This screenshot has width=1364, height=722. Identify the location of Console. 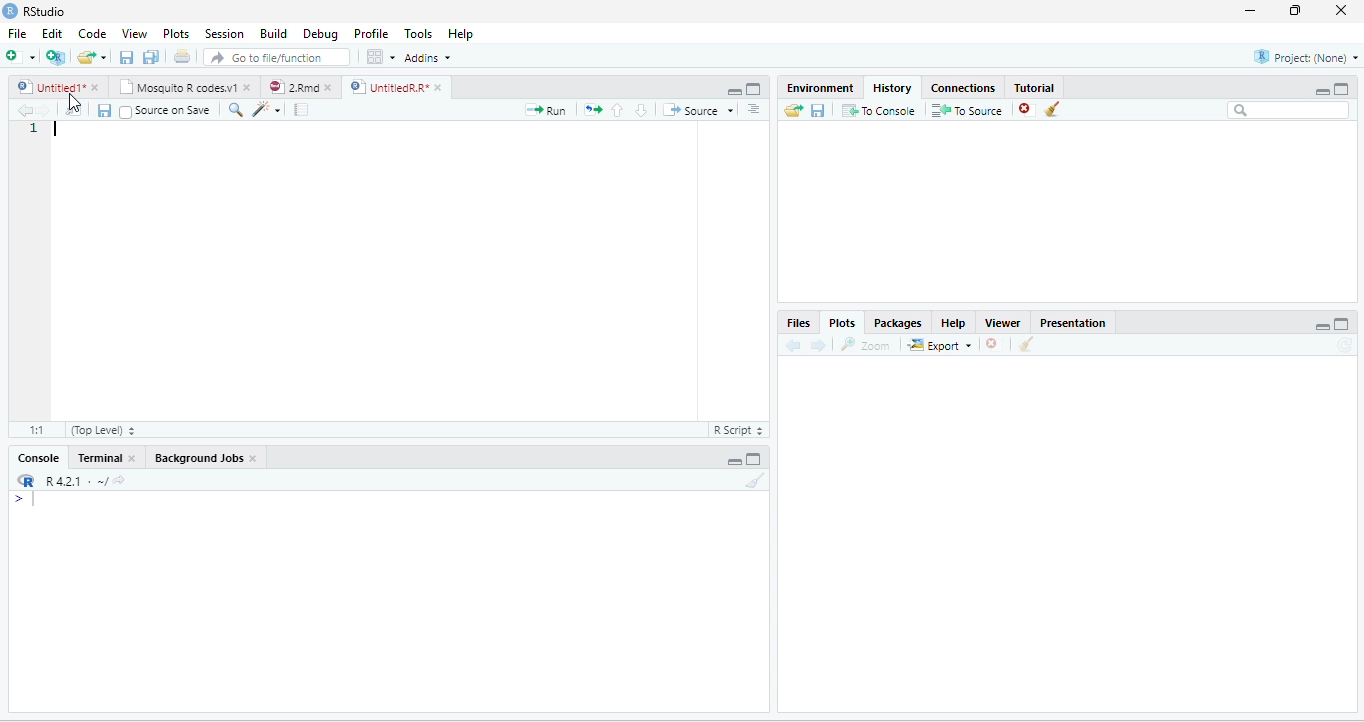
(38, 458).